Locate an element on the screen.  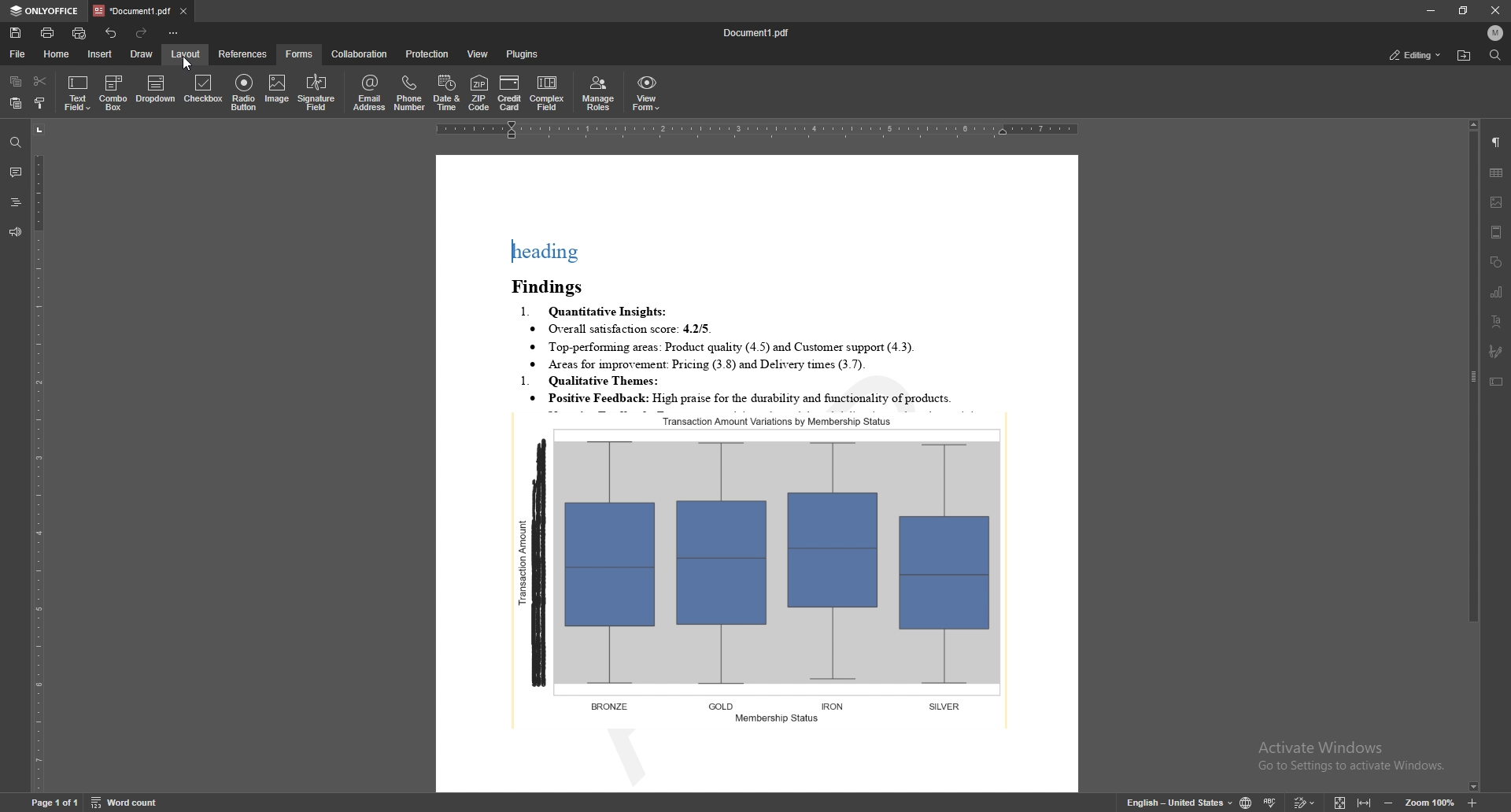
file name is located at coordinates (757, 31).